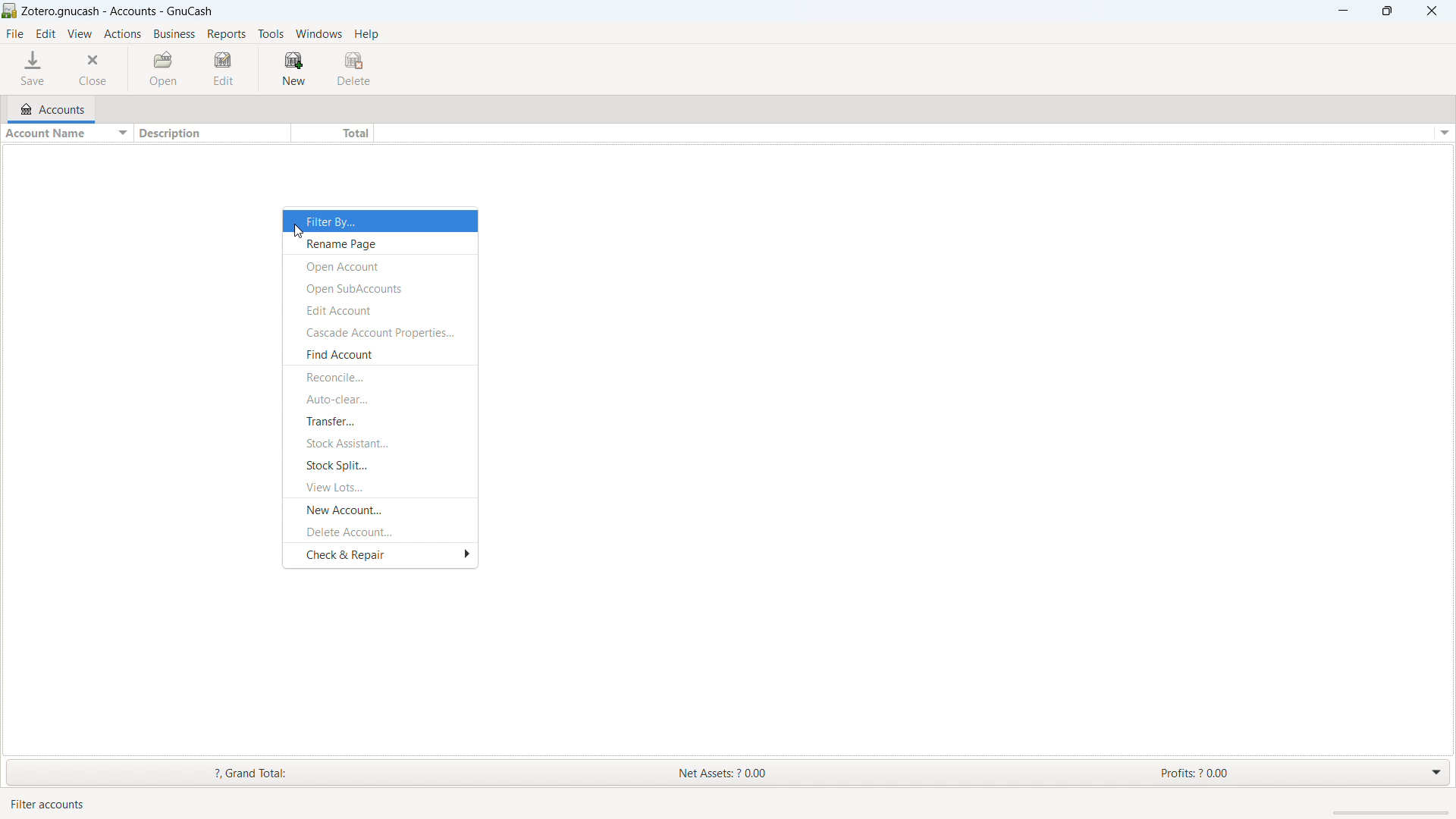  What do you see at coordinates (380, 510) in the screenshot?
I see `new account` at bounding box center [380, 510].